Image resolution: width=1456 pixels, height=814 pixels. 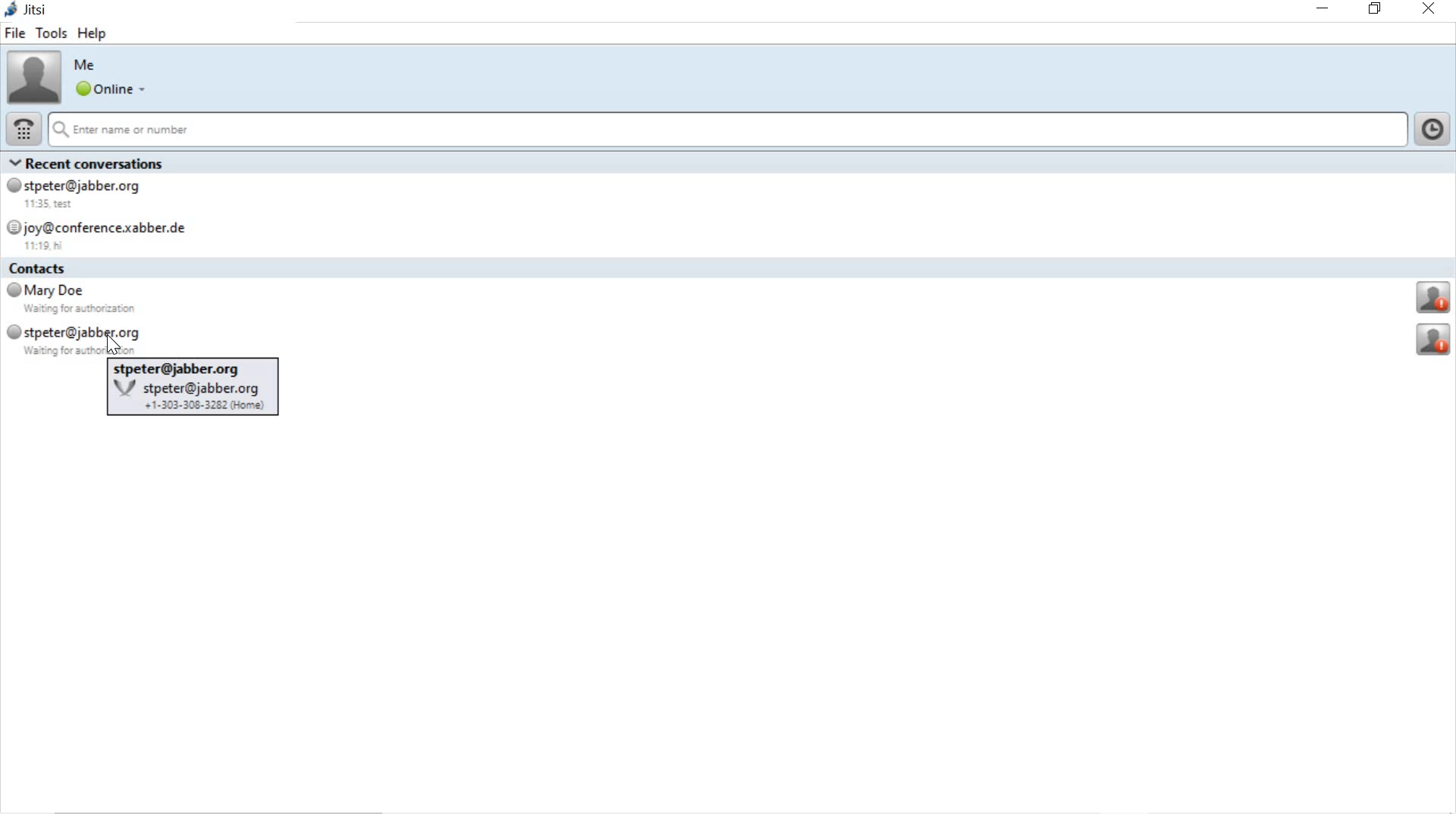 I want to click on help, so click(x=95, y=36).